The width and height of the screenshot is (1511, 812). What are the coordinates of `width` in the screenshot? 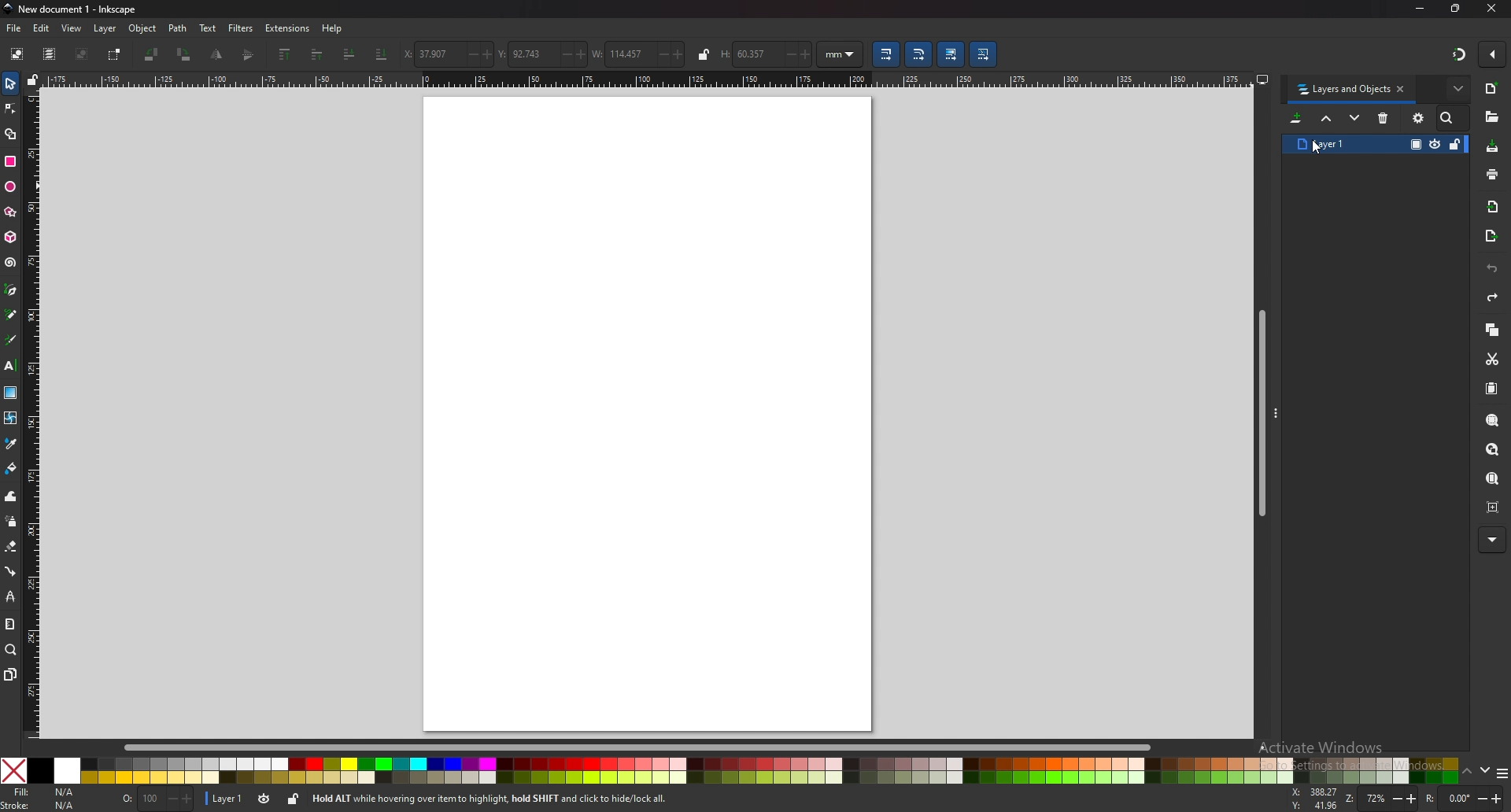 It's located at (619, 55).